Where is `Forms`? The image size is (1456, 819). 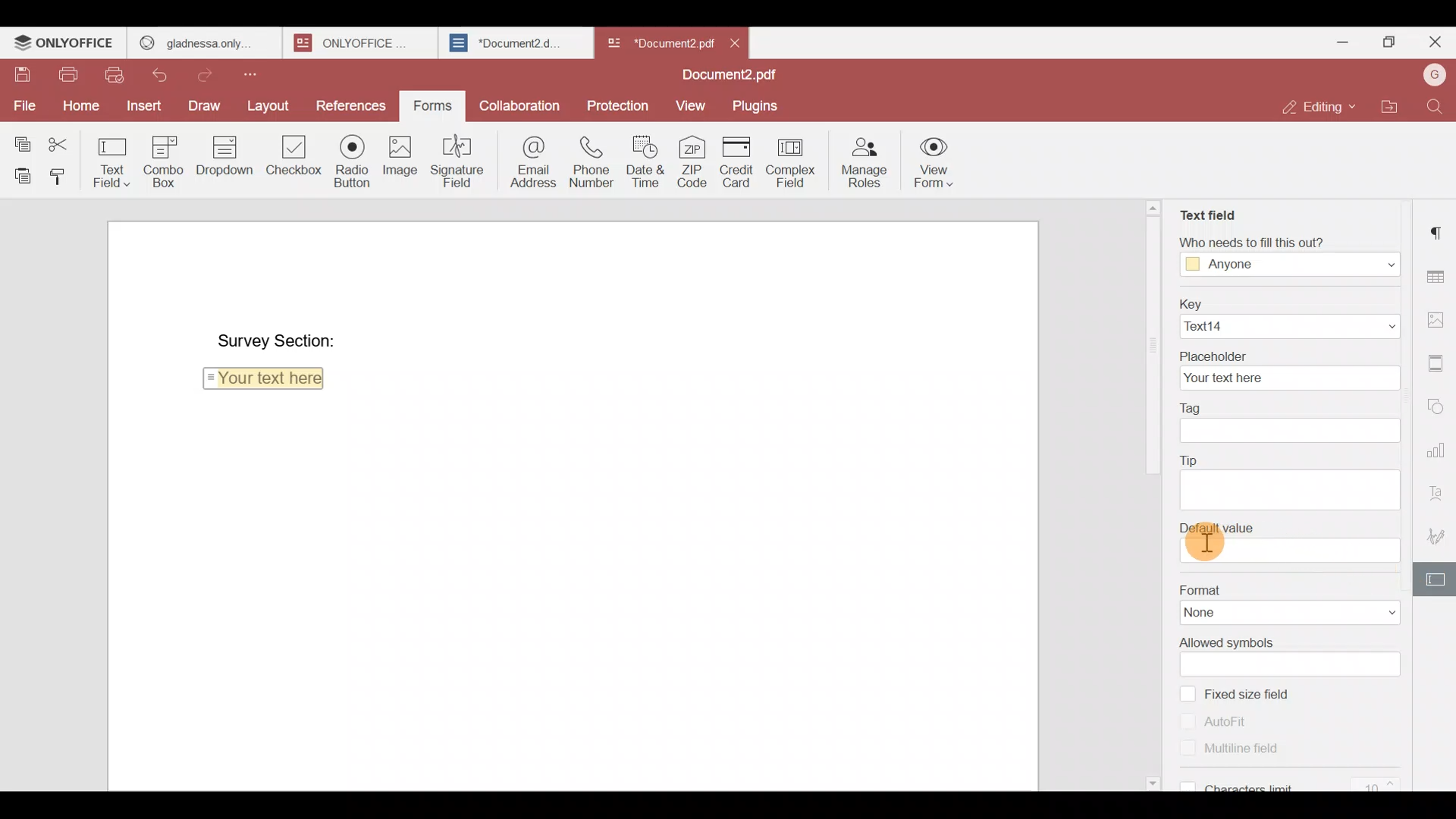 Forms is located at coordinates (427, 106).